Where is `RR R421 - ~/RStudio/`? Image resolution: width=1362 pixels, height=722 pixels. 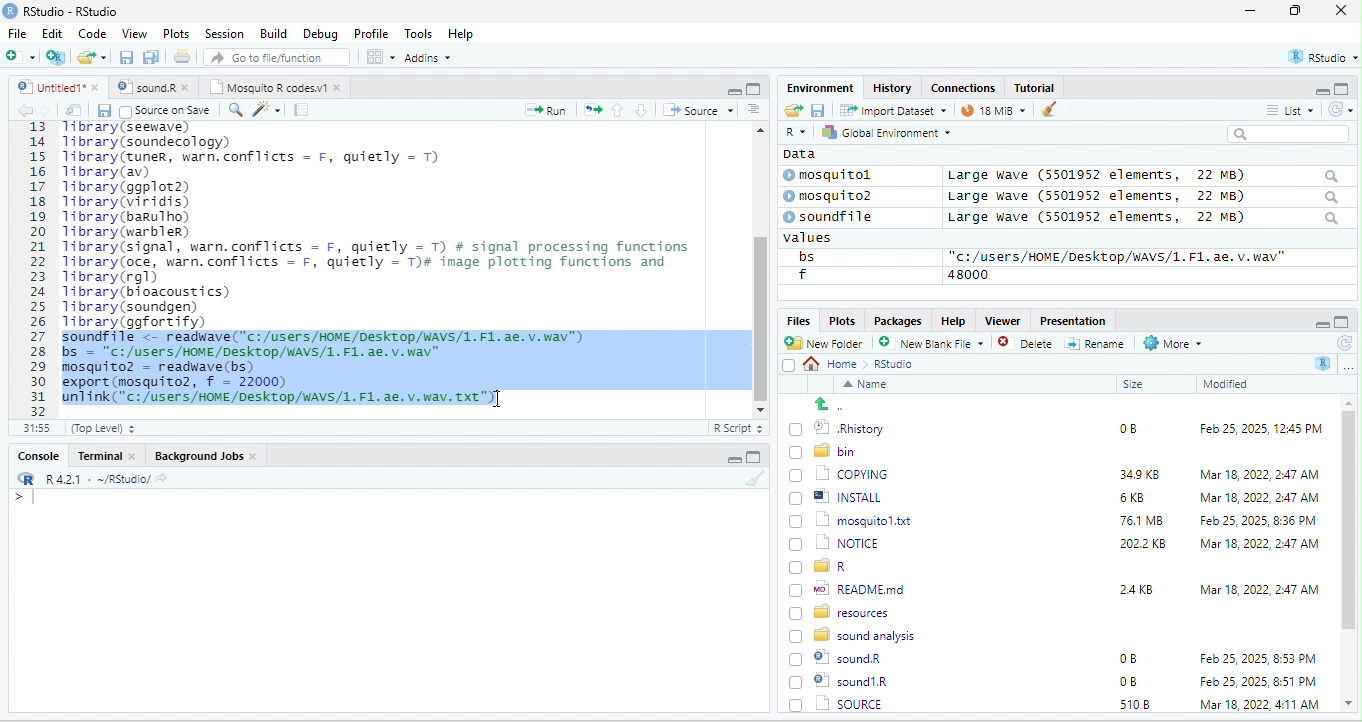
RR R421 - ~/RStudio/ is located at coordinates (87, 481).